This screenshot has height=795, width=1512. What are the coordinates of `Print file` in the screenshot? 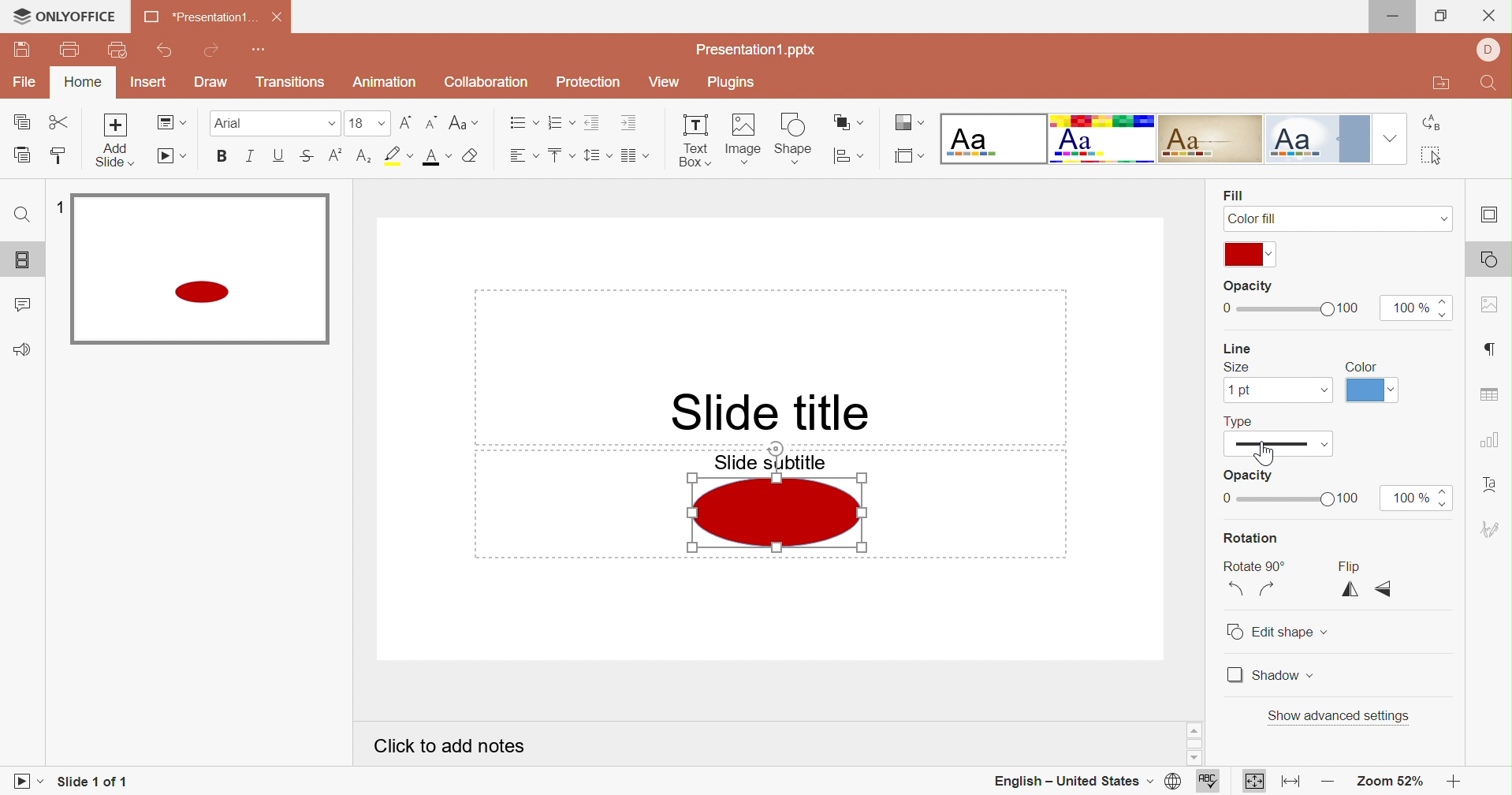 It's located at (71, 50).